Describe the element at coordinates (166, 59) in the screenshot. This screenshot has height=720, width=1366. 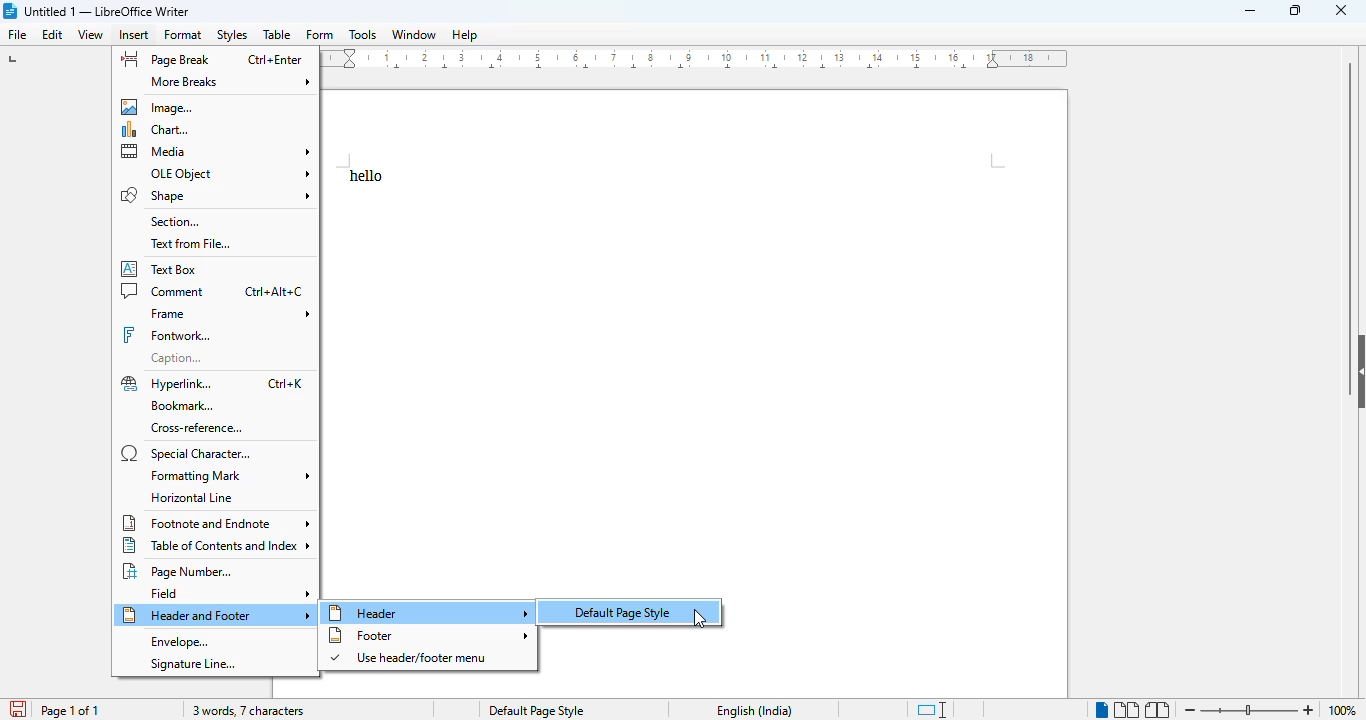
I see `page break` at that location.